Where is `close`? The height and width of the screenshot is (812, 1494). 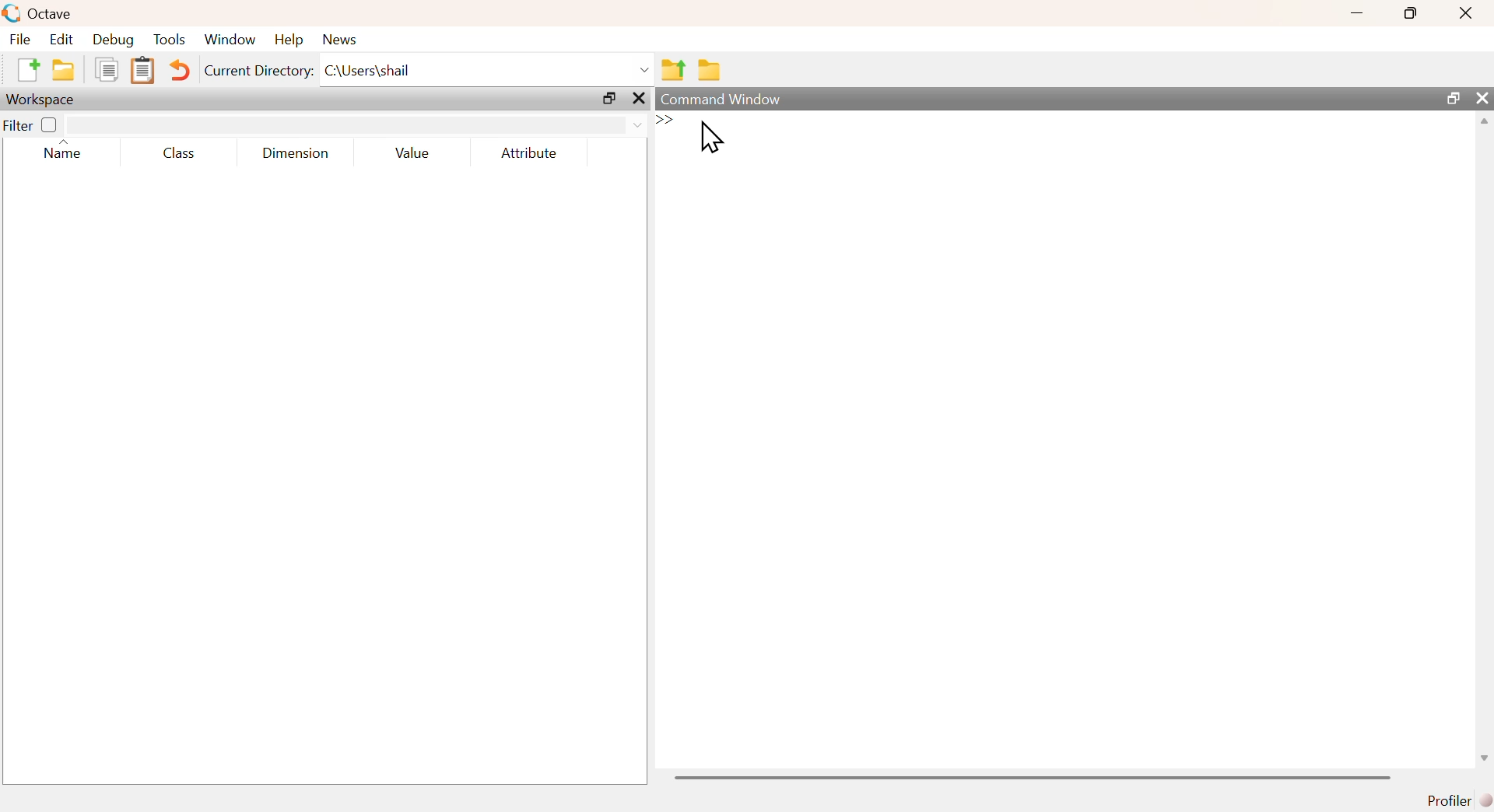 close is located at coordinates (641, 99).